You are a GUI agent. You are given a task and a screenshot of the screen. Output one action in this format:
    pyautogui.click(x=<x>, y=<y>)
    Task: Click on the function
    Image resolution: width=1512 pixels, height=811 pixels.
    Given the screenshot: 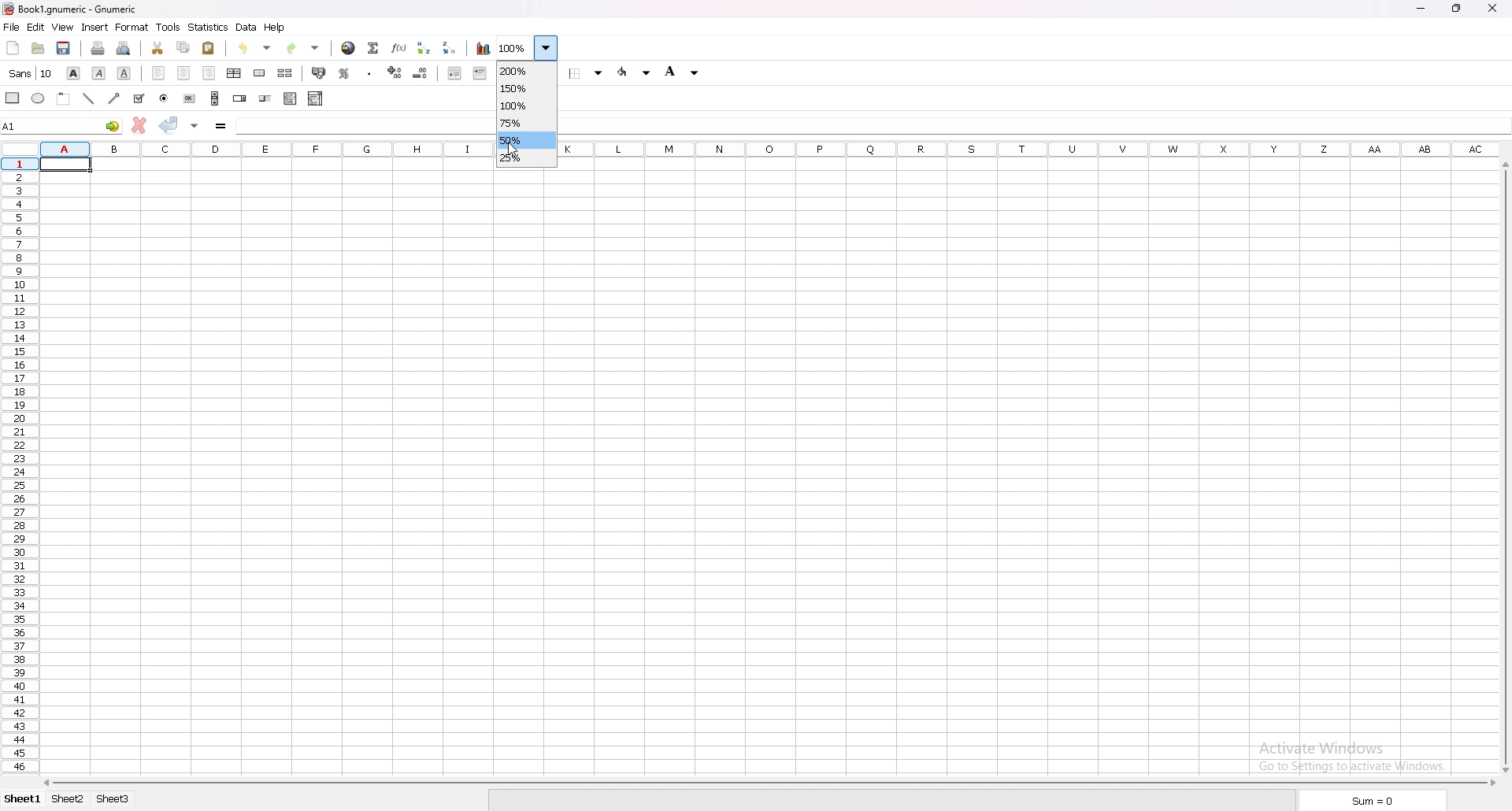 What is the action you would take?
    pyautogui.click(x=398, y=48)
    